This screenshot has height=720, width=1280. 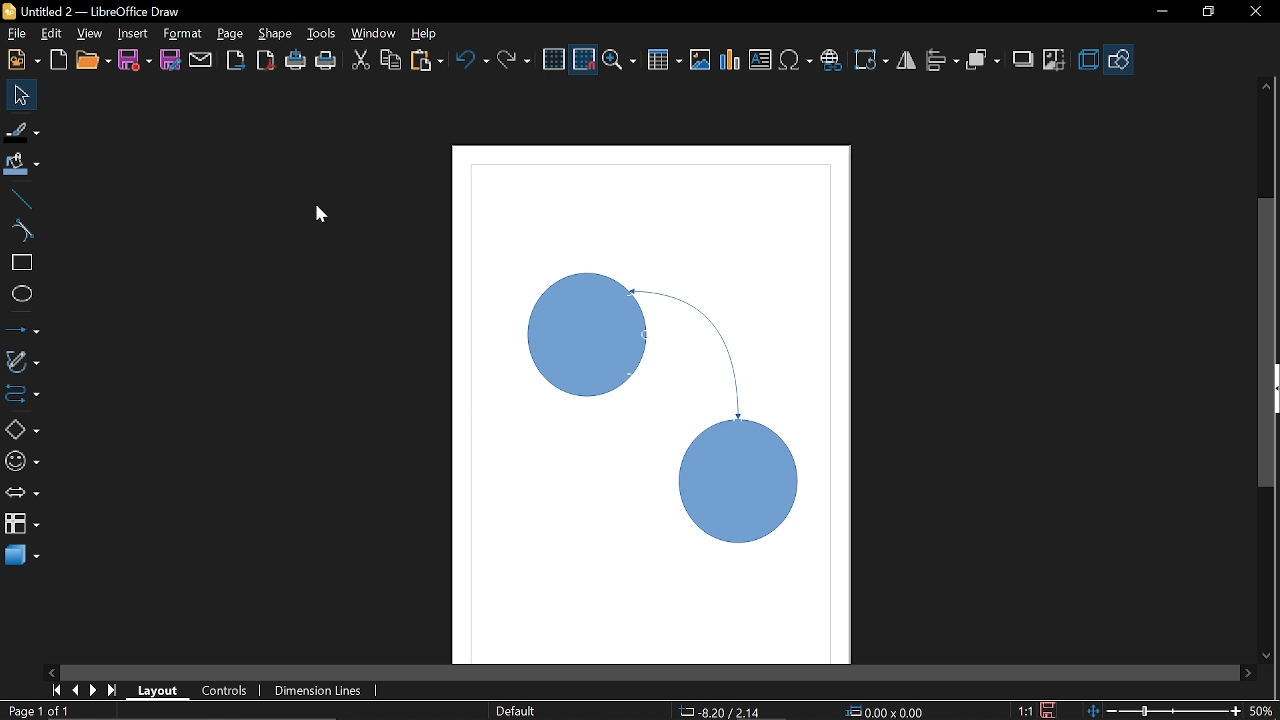 I want to click on Arrange, so click(x=984, y=61).